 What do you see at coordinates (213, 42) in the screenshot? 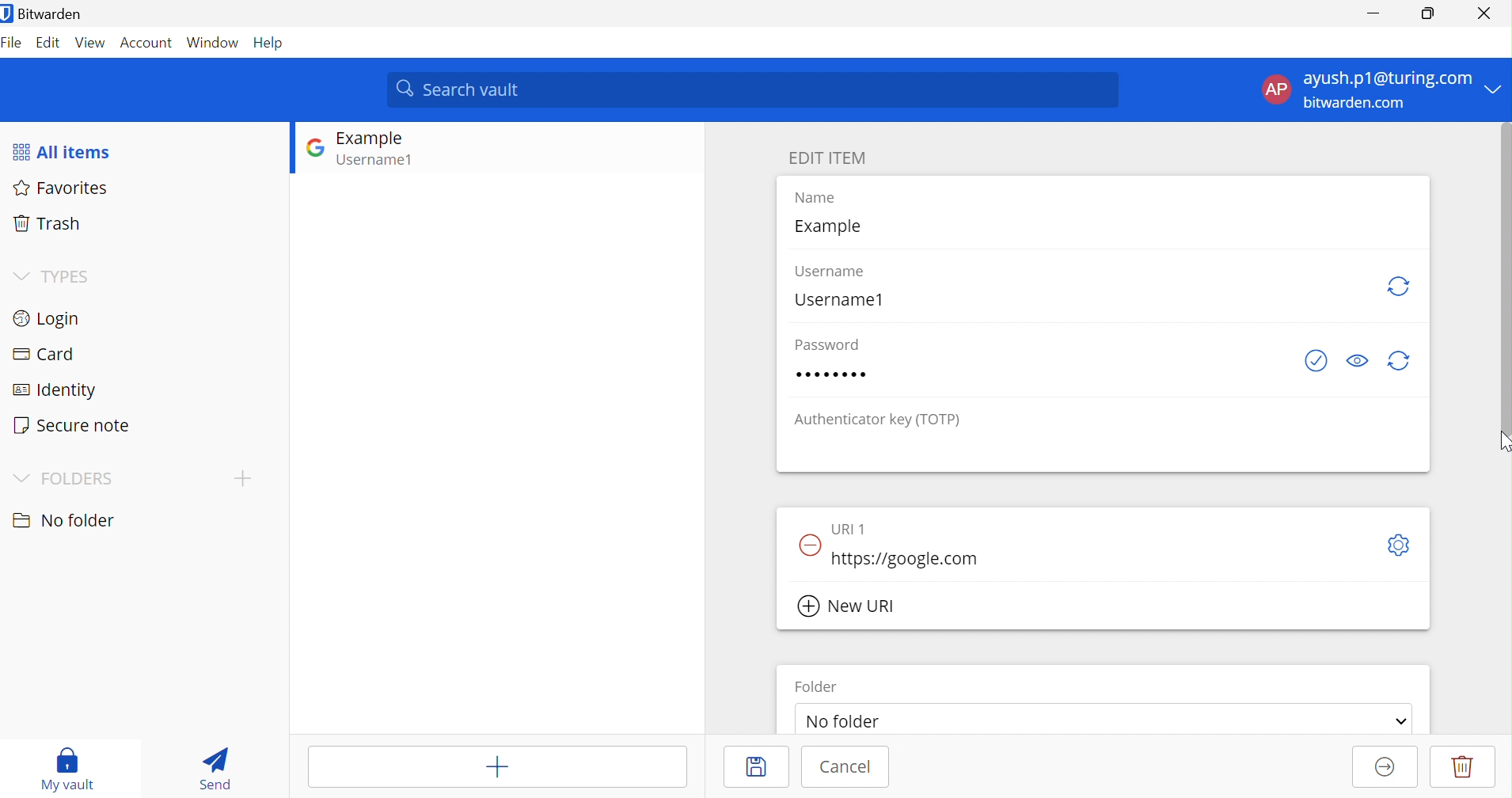
I see `Window` at bounding box center [213, 42].